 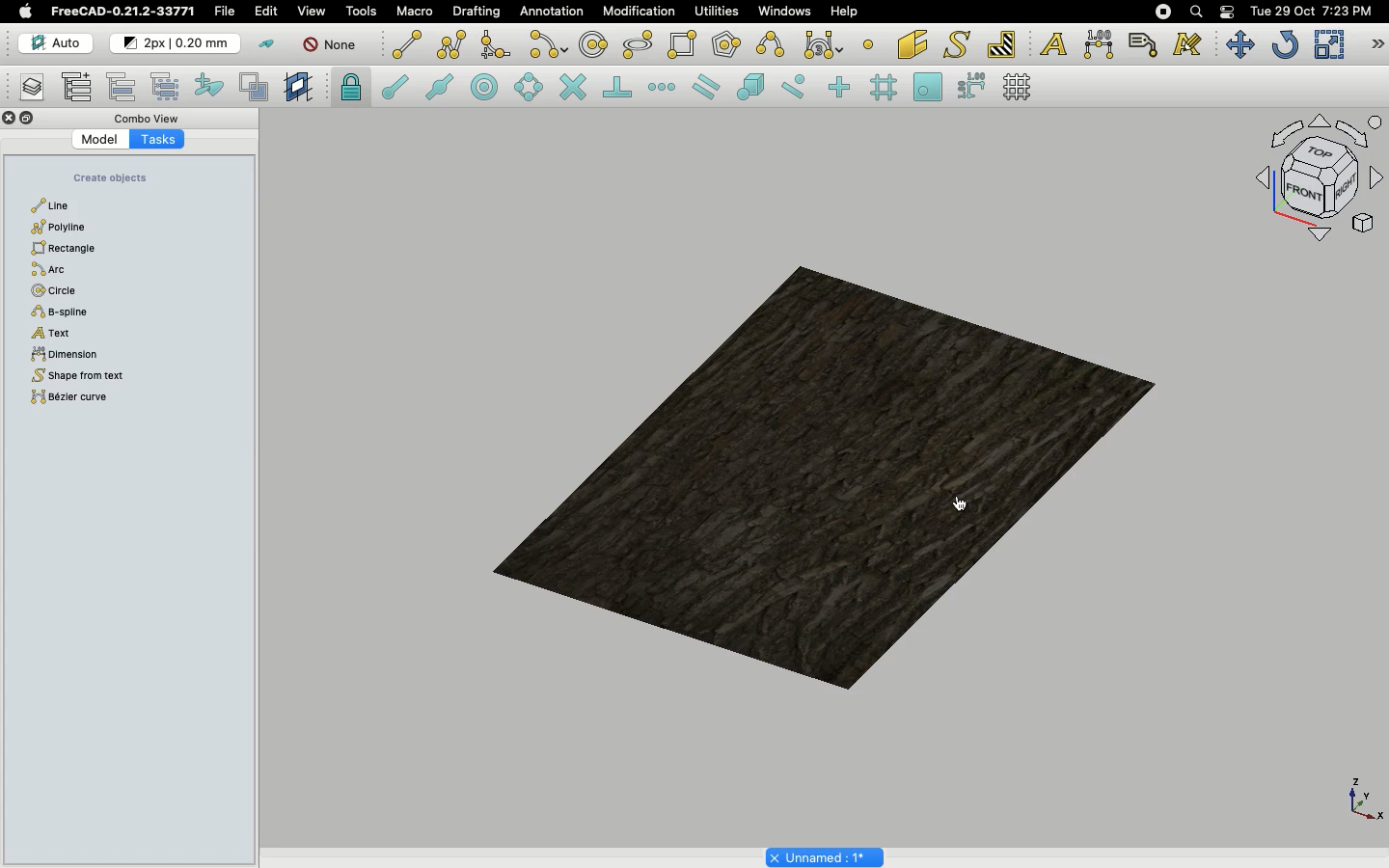 I want to click on Select group, so click(x=168, y=86).